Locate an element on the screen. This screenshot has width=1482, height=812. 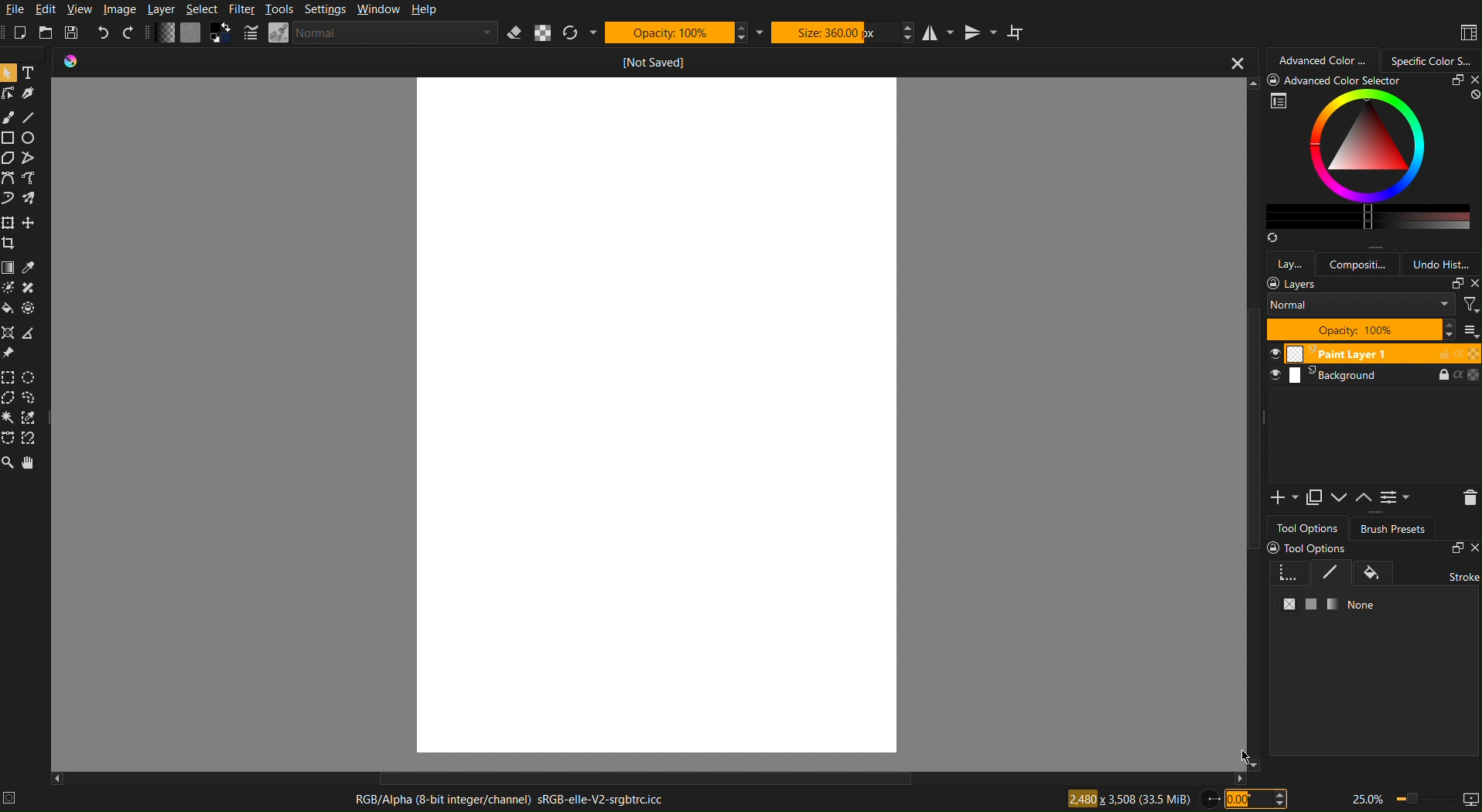
Current Document is located at coordinates (629, 63).